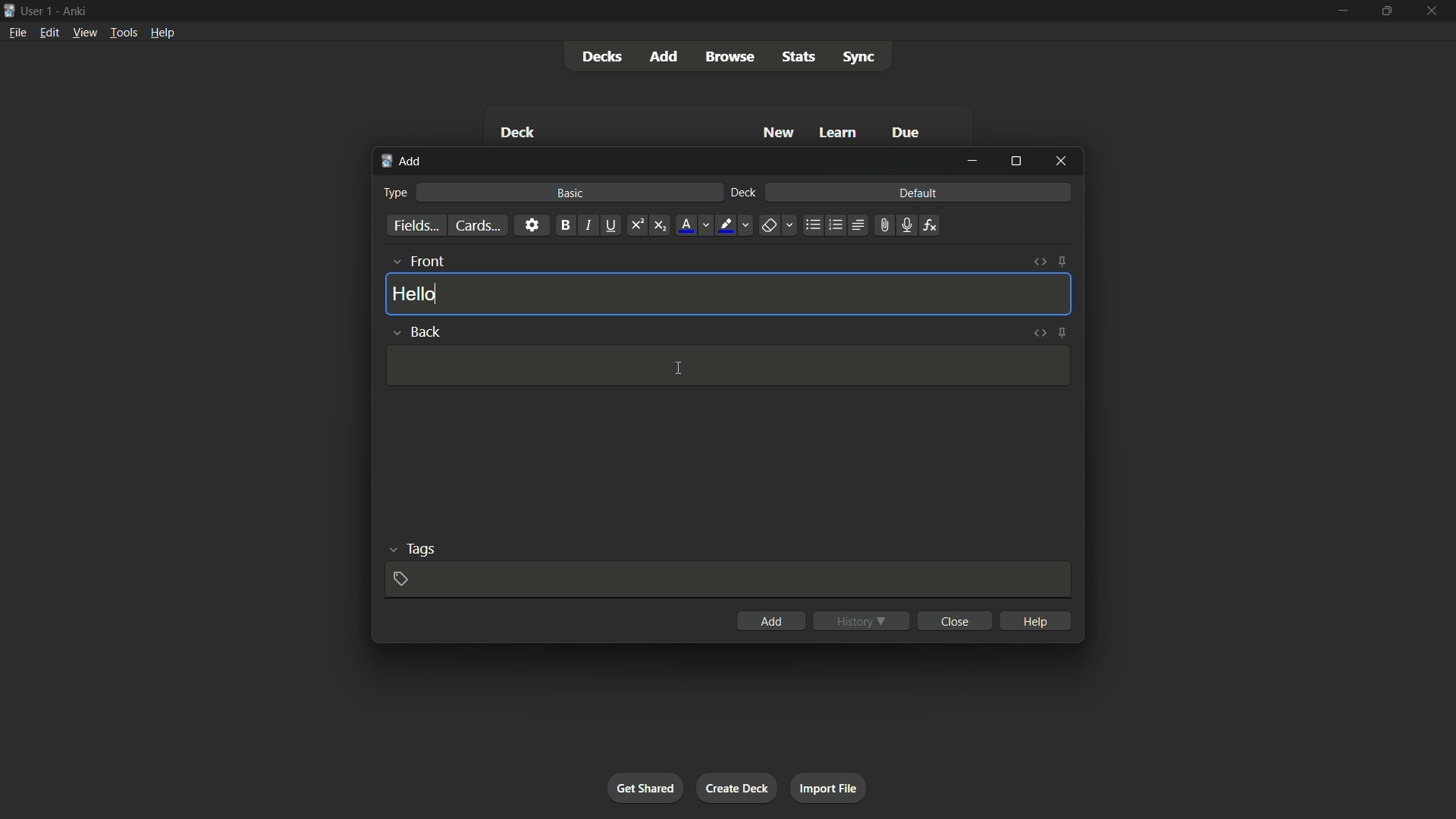 The height and width of the screenshot is (819, 1456). What do you see at coordinates (957, 620) in the screenshot?
I see `close` at bounding box center [957, 620].